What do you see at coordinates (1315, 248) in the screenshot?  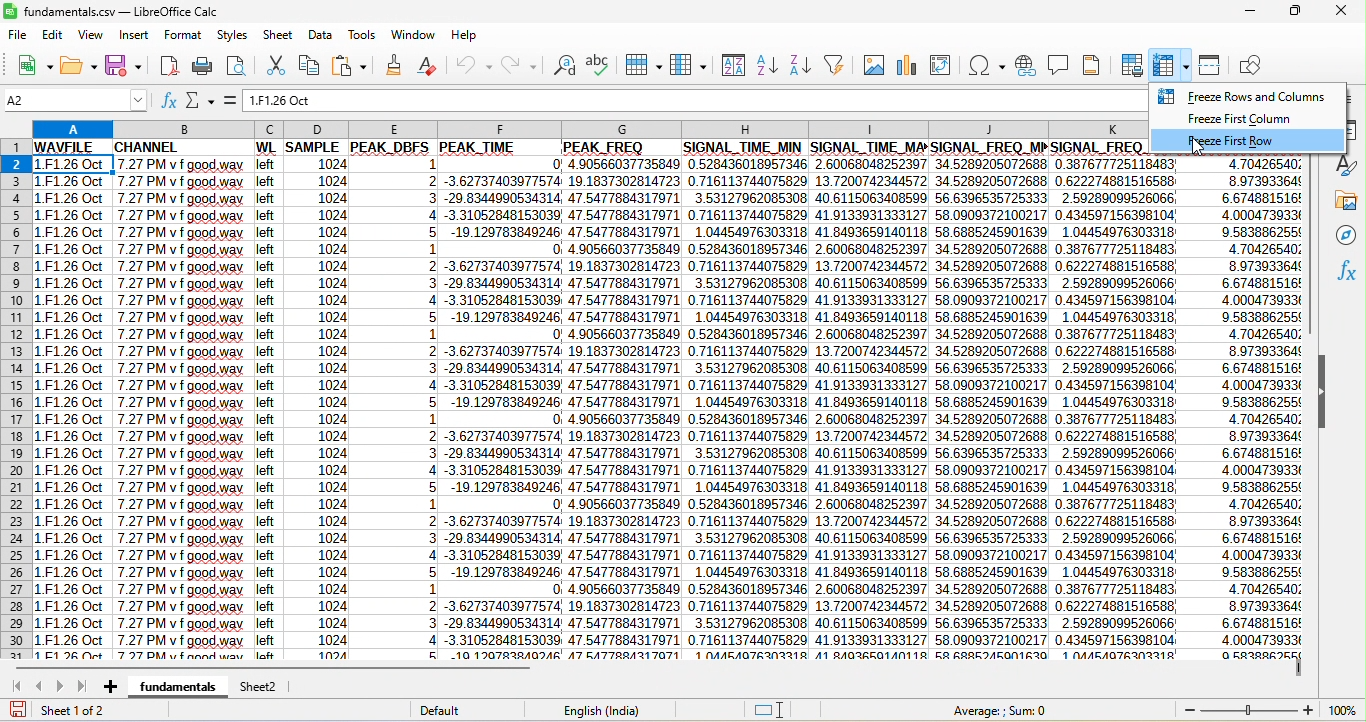 I see `vertical scroll bar` at bounding box center [1315, 248].